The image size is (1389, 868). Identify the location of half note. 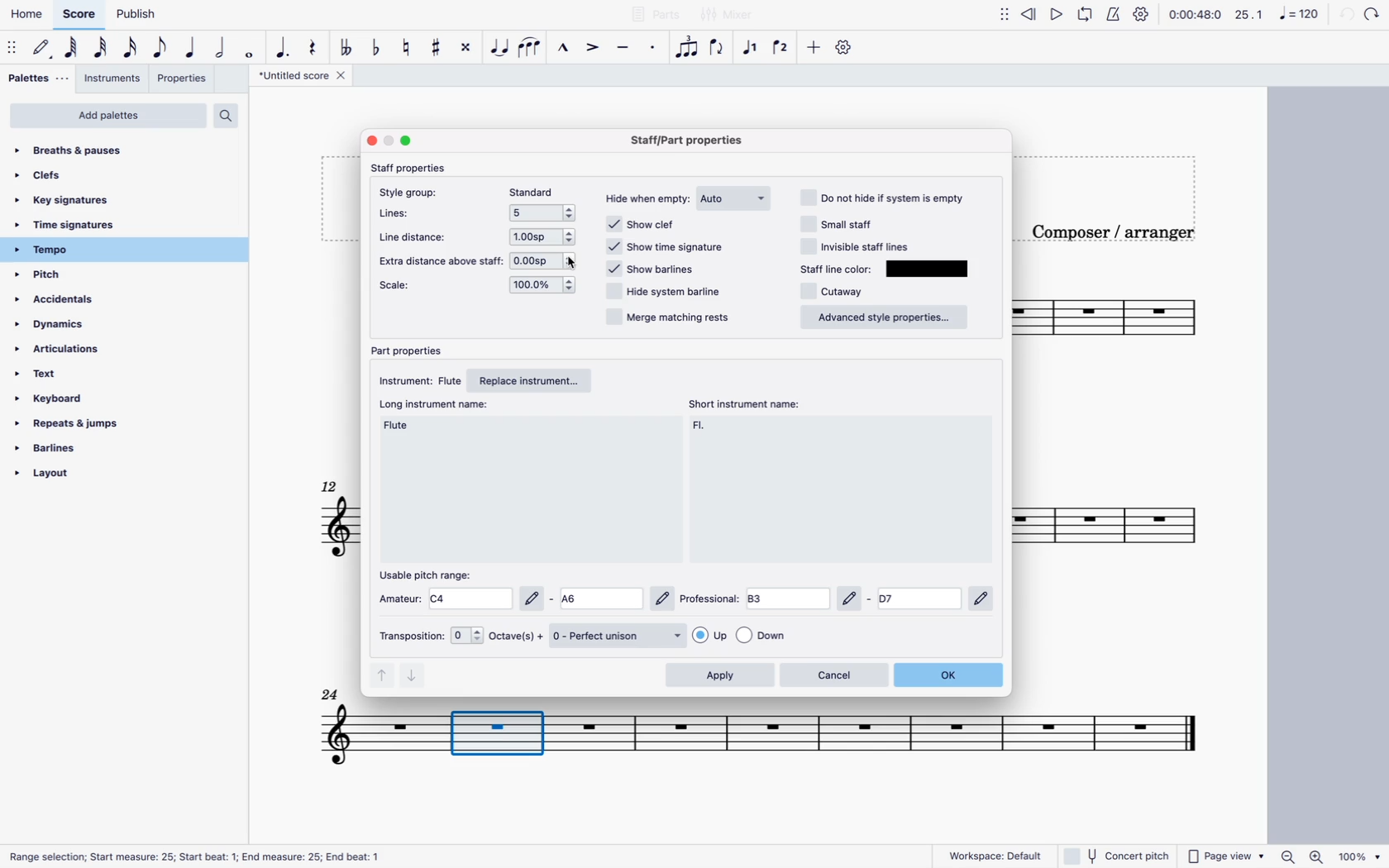
(220, 48).